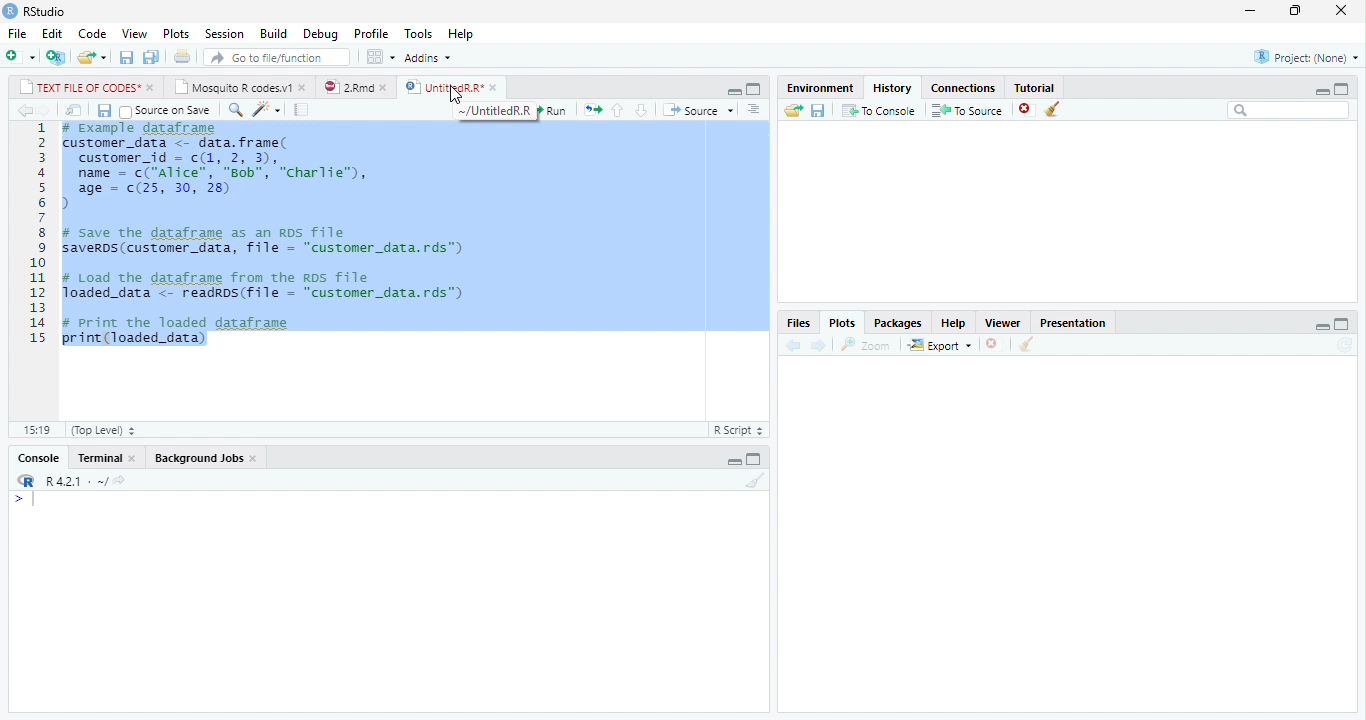 The width and height of the screenshot is (1366, 720). Describe the element at coordinates (38, 232) in the screenshot. I see `line numbering` at that location.